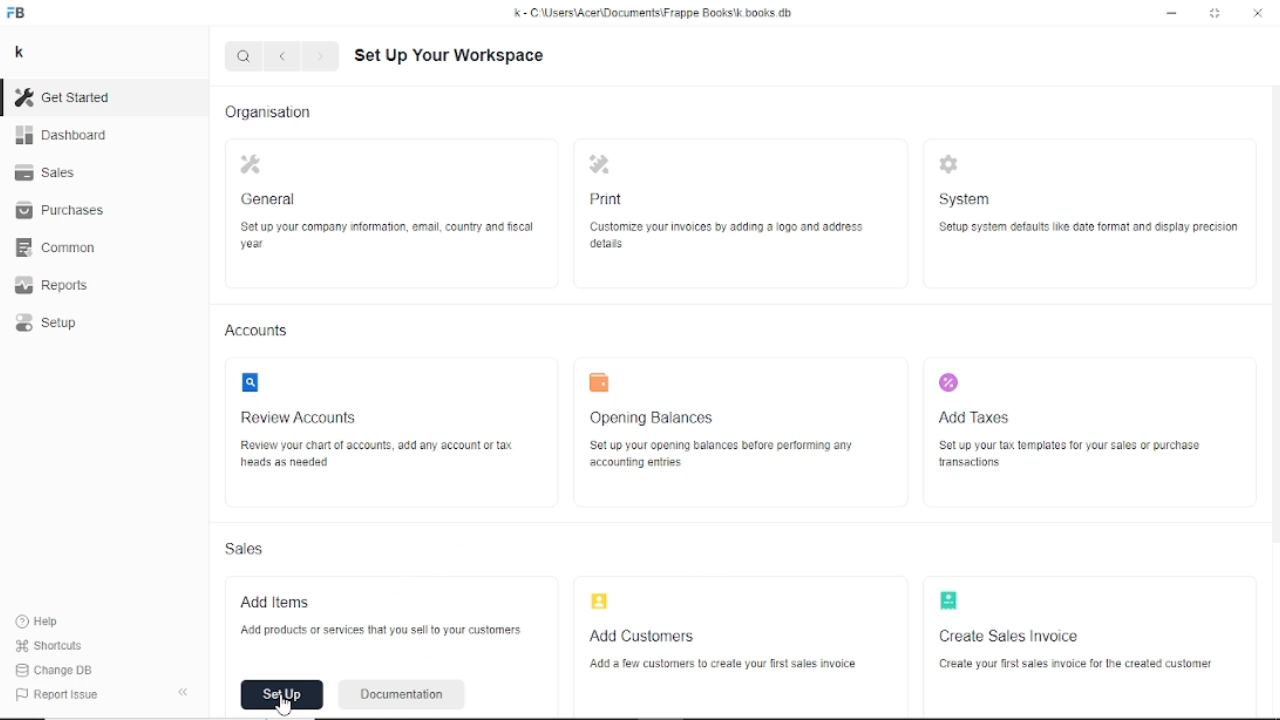  I want to click on Documentation, so click(401, 696).